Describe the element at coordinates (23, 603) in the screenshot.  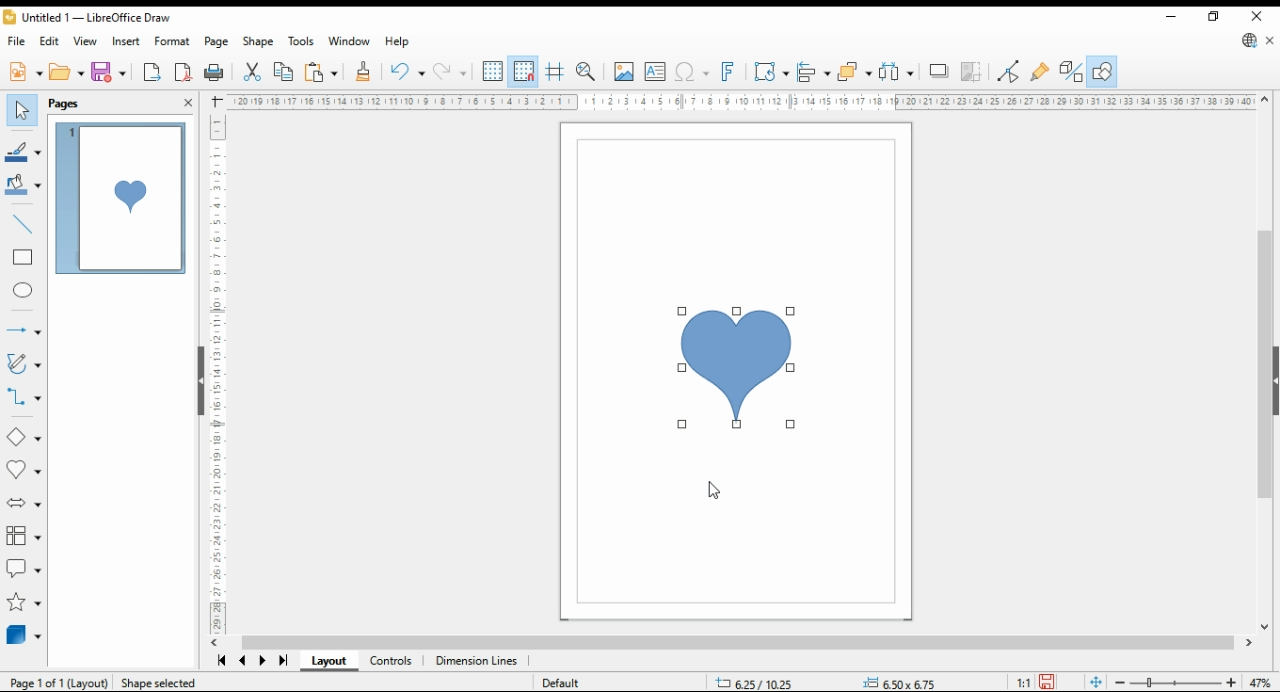
I see `stars and banners` at that location.